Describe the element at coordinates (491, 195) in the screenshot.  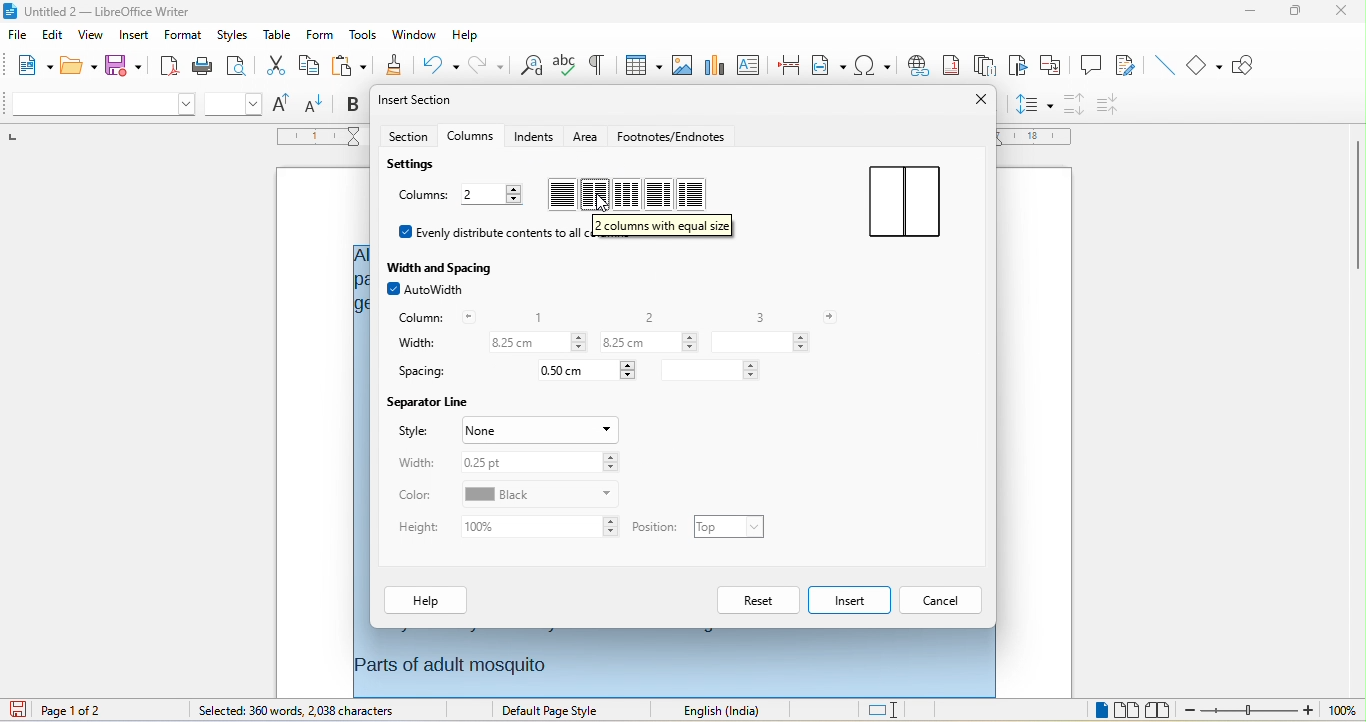
I see `number of columns` at that location.